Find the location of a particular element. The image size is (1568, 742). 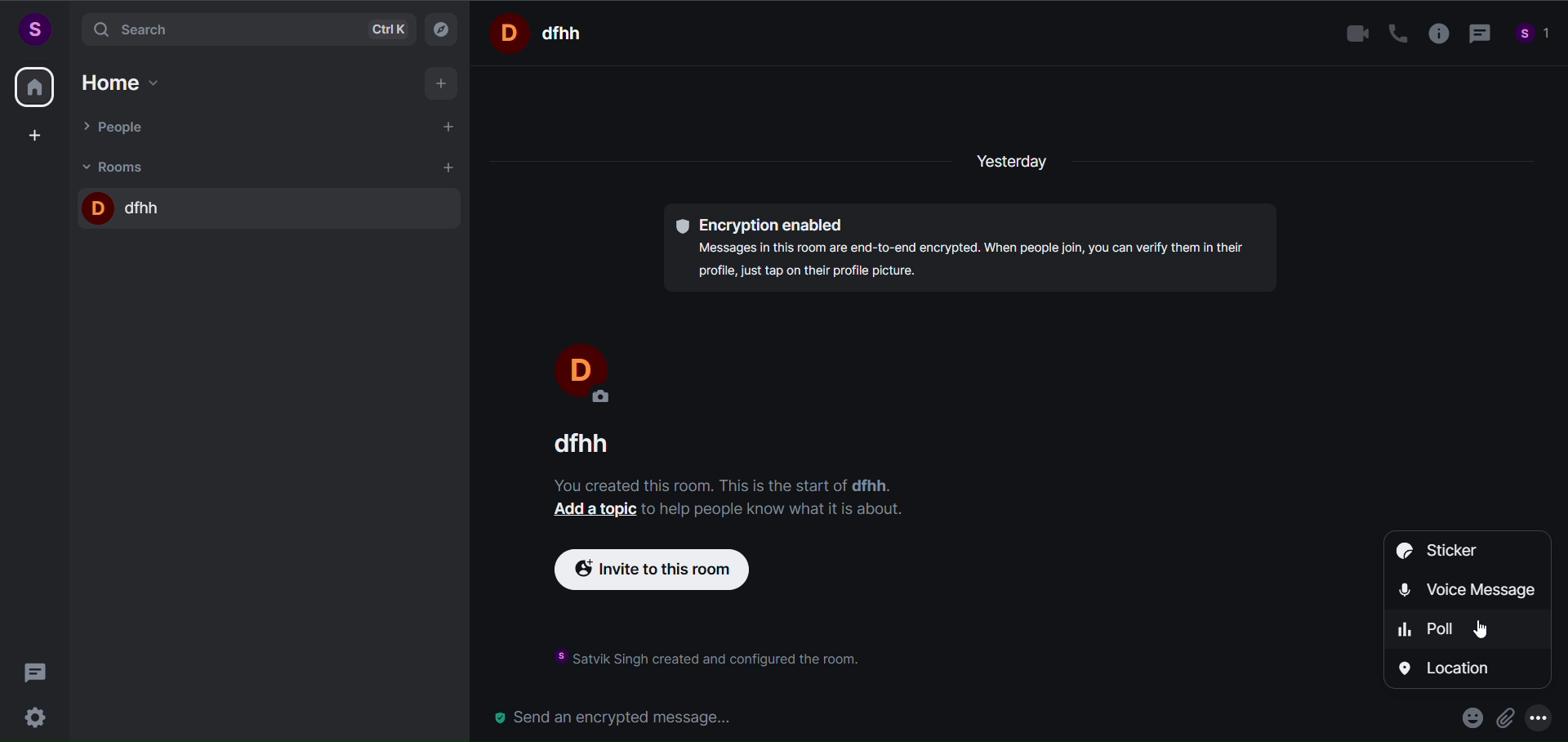

call is located at coordinates (1392, 34).